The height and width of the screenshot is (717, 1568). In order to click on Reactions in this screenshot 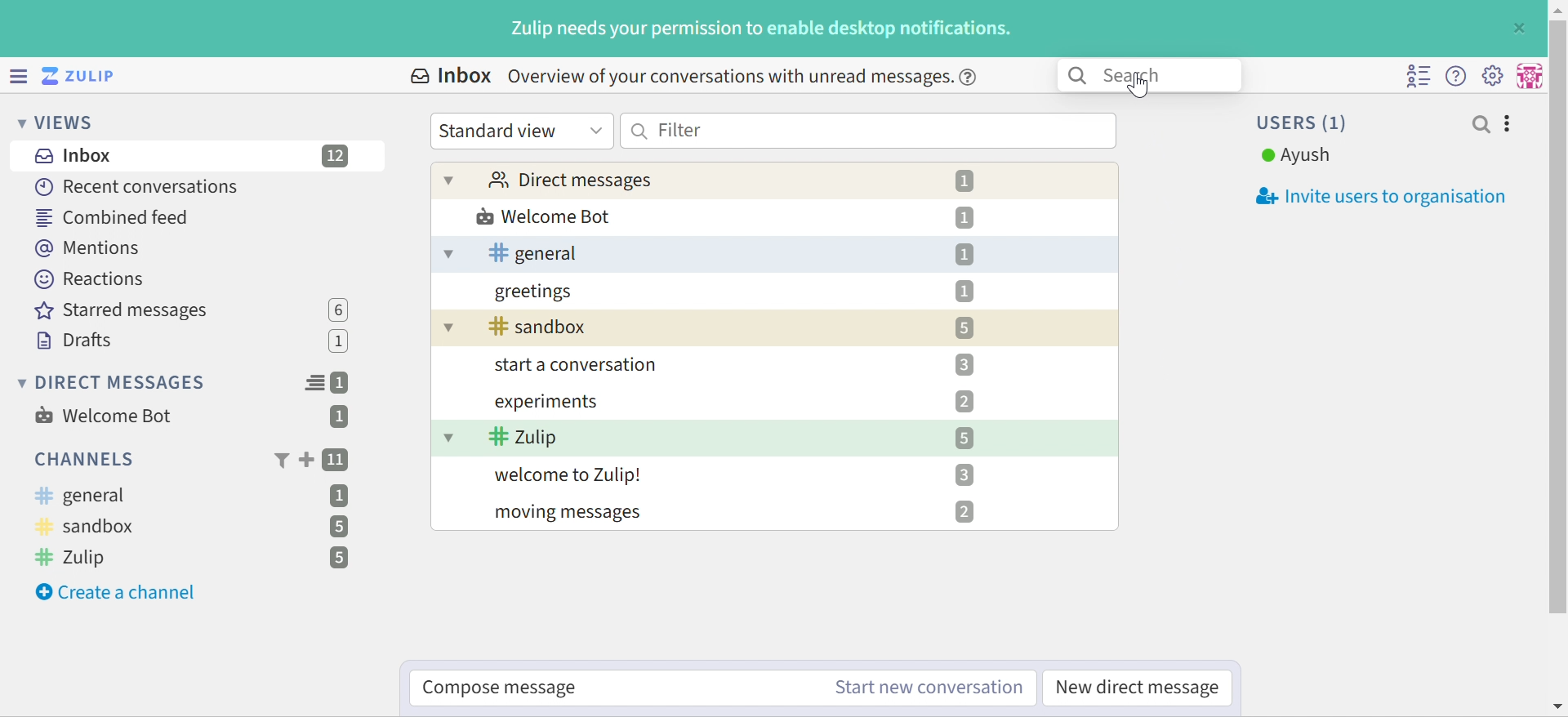, I will do `click(94, 279)`.